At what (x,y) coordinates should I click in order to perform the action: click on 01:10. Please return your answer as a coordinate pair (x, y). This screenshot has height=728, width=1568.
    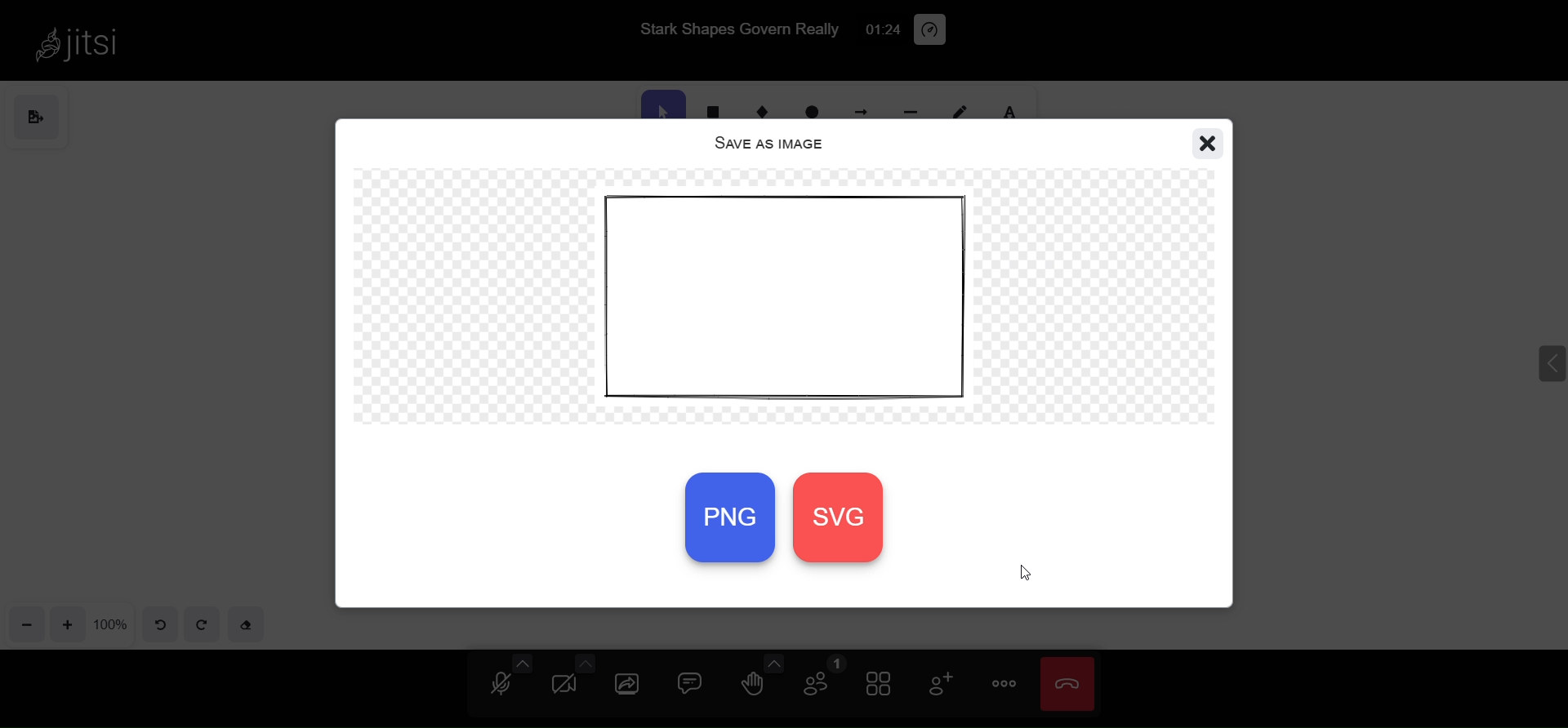
    Looking at the image, I should click on (880, 29).